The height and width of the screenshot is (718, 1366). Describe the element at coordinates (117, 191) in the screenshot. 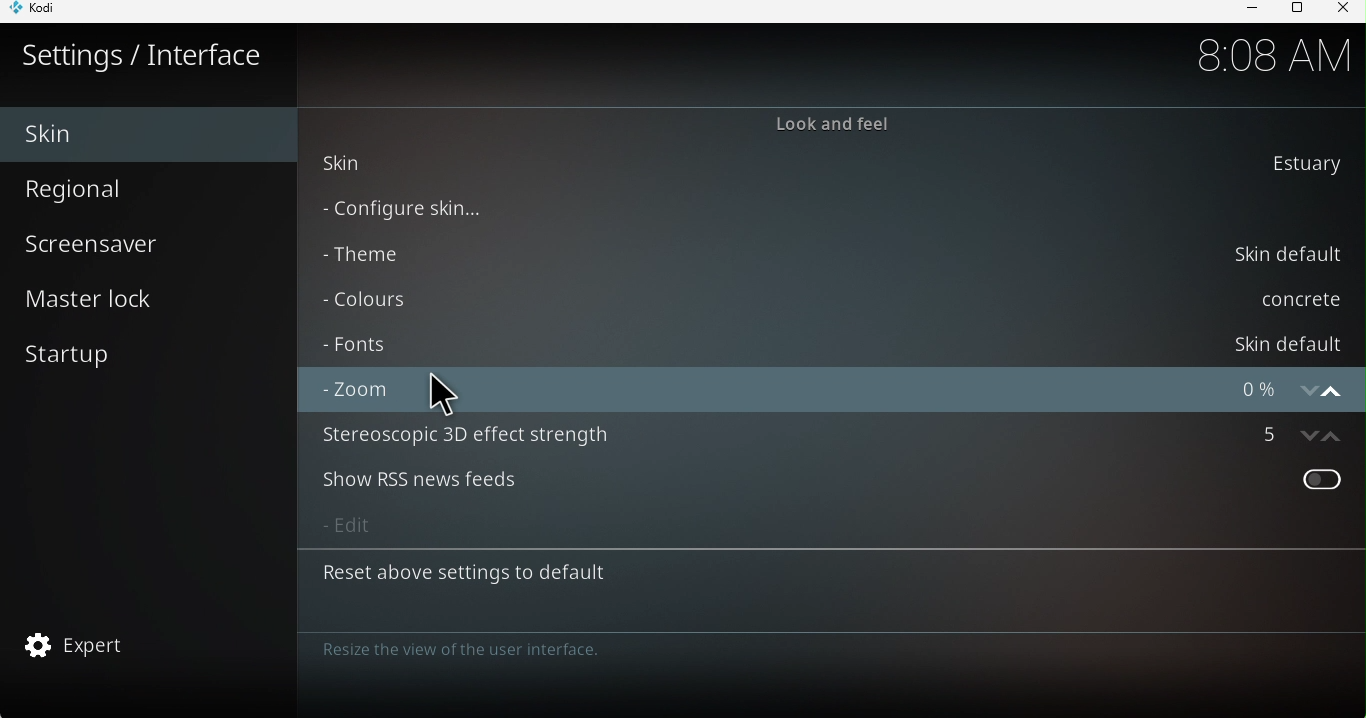

I see `Regional` at that location.